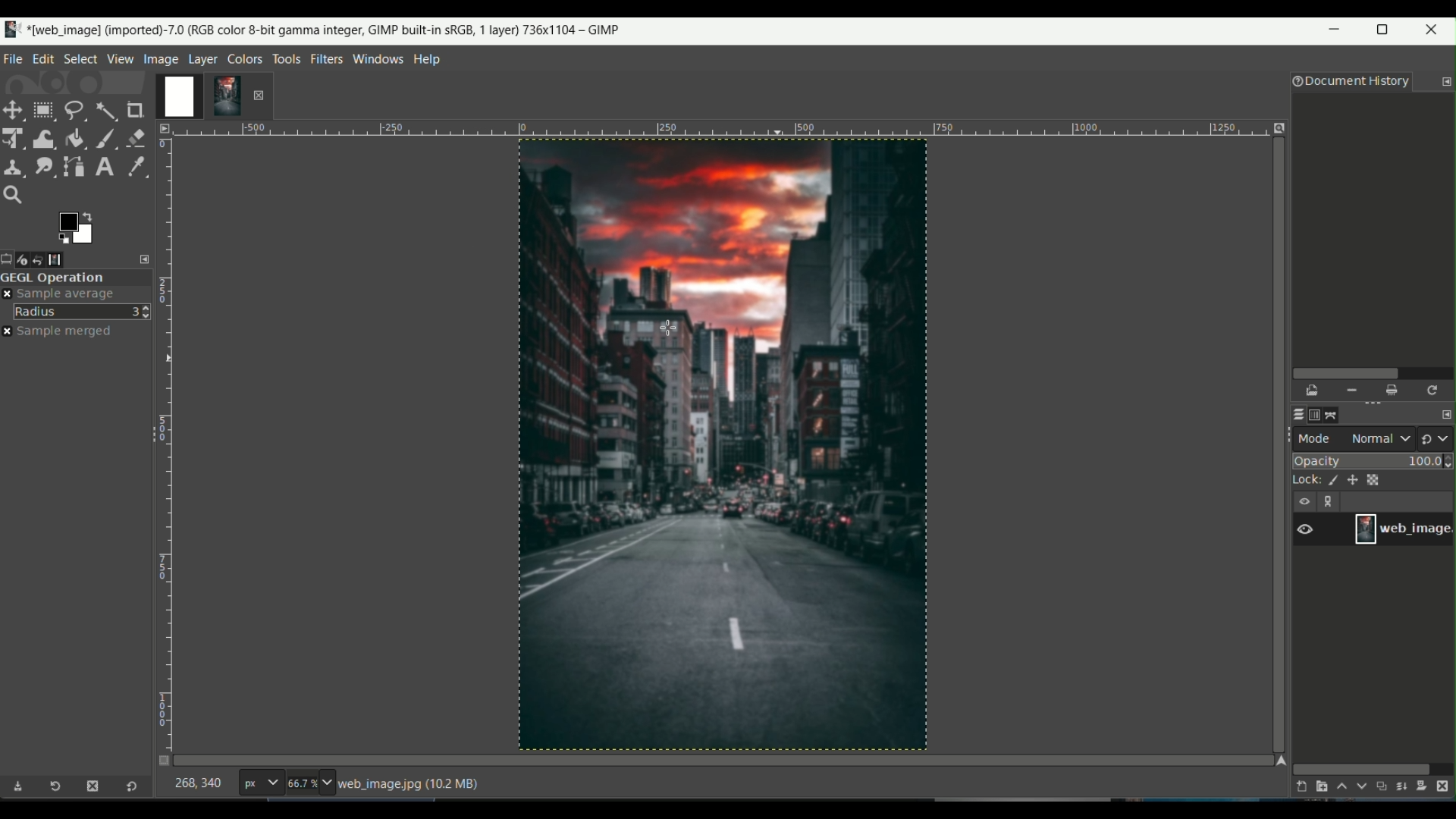 The width and height of the screenshot is (1456, 819). I want to click on create duplicate layer, so click(1382, 788).